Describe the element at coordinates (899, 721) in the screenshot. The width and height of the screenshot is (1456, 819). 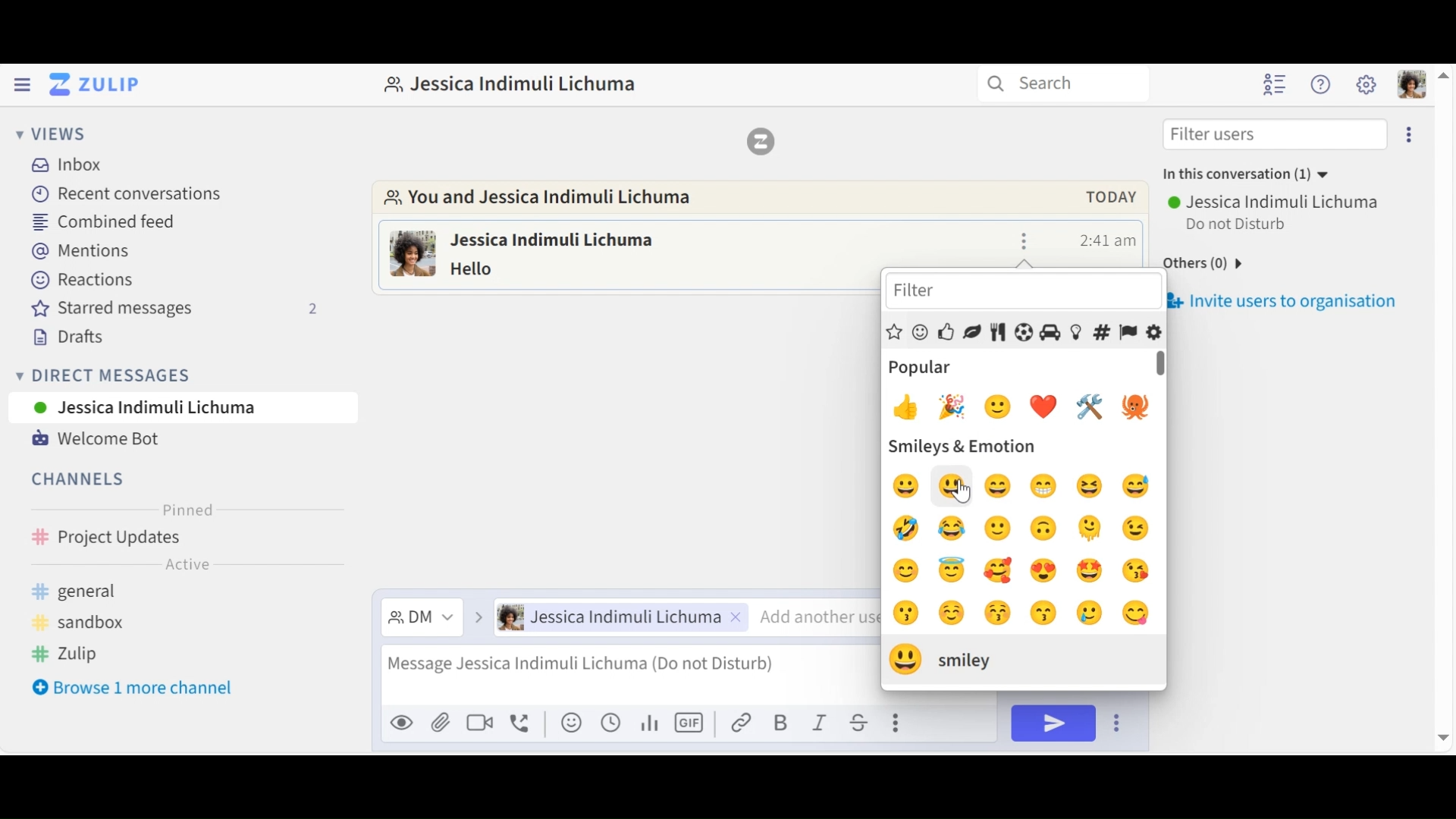
I see `Compose actions` at that location.